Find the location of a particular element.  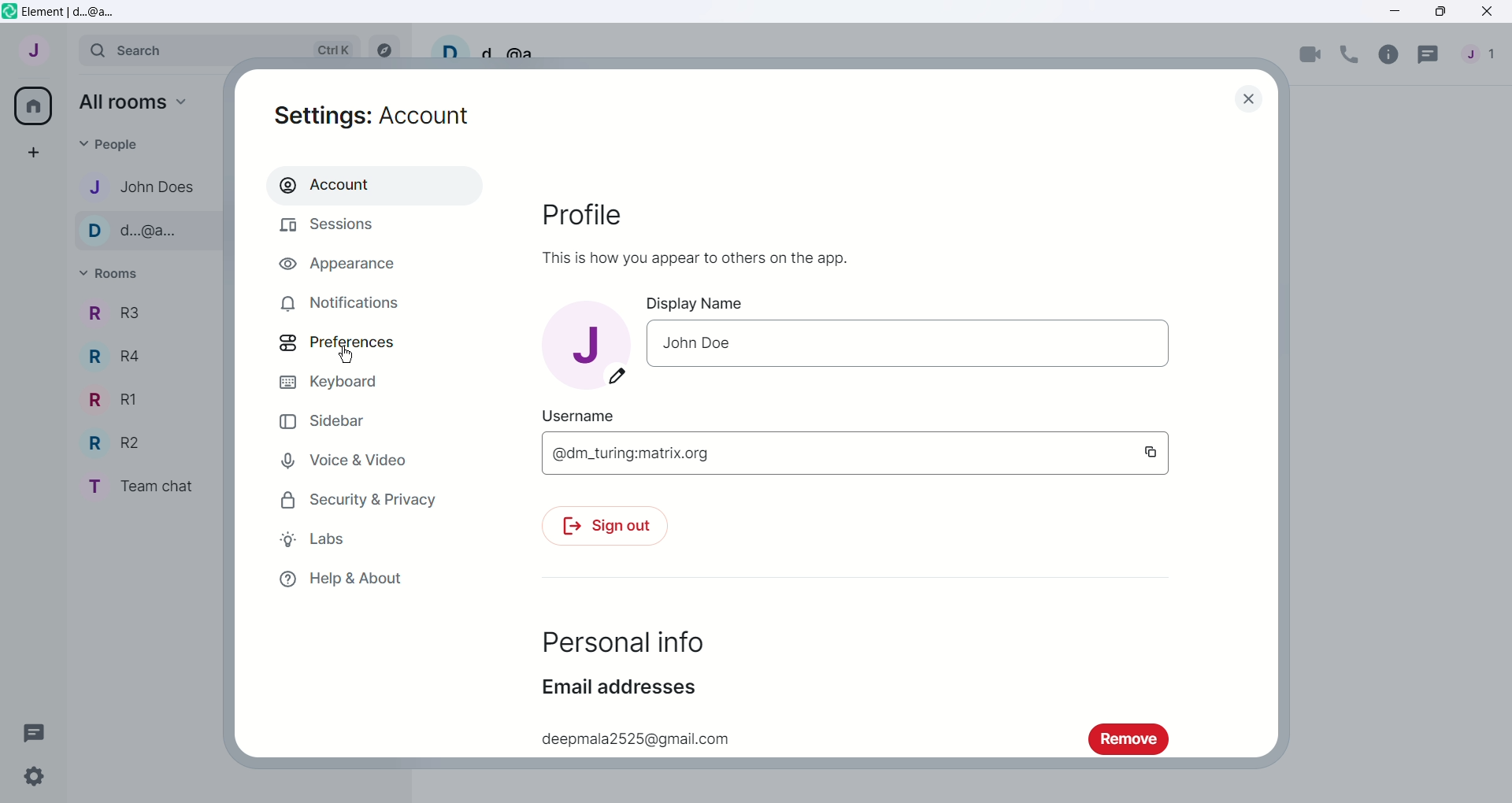

Cursor is located at coordinates (345, 354).